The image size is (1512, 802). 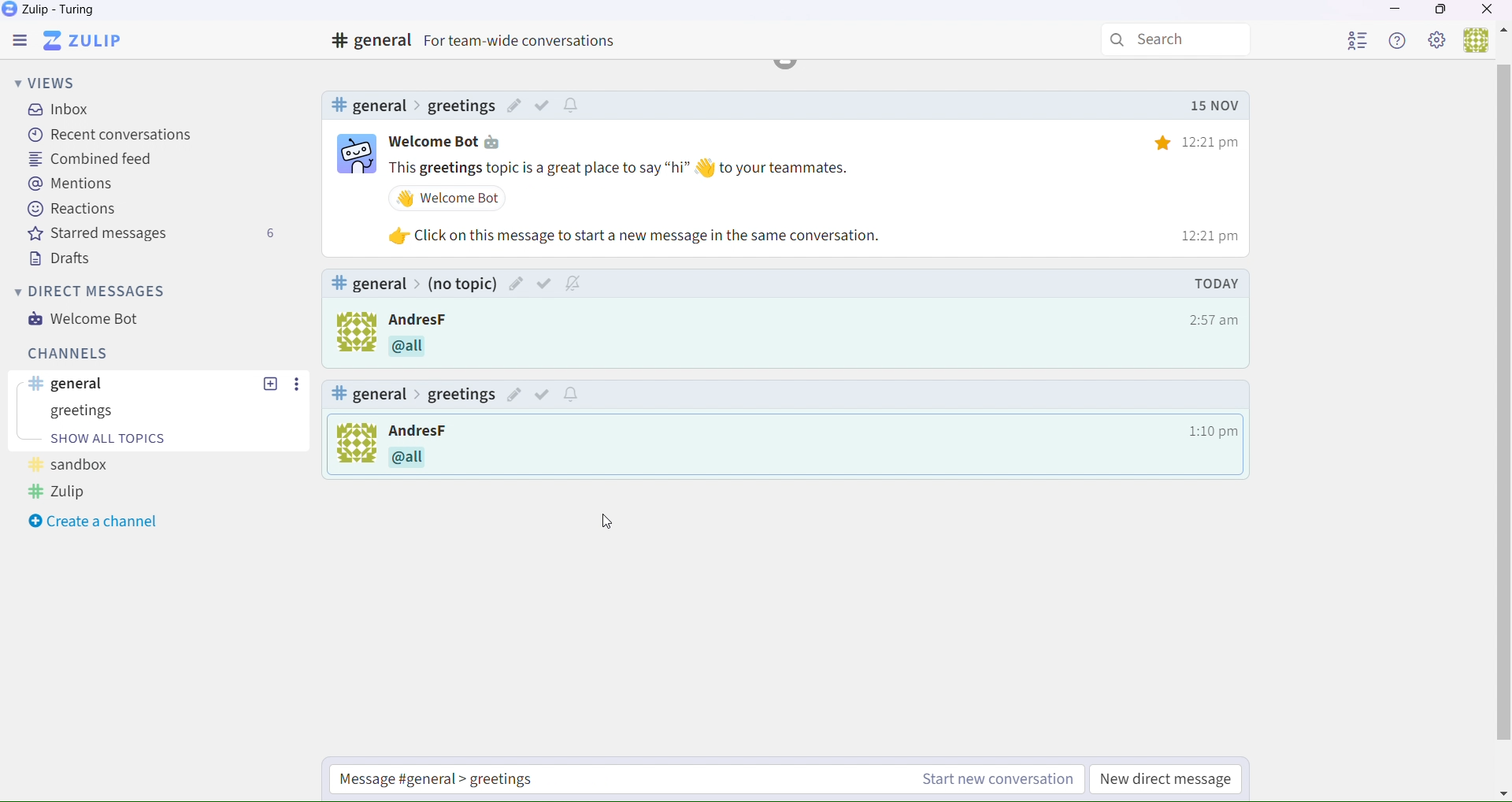 I want to click on #general> (No Topic), so click(x=414, y=283).